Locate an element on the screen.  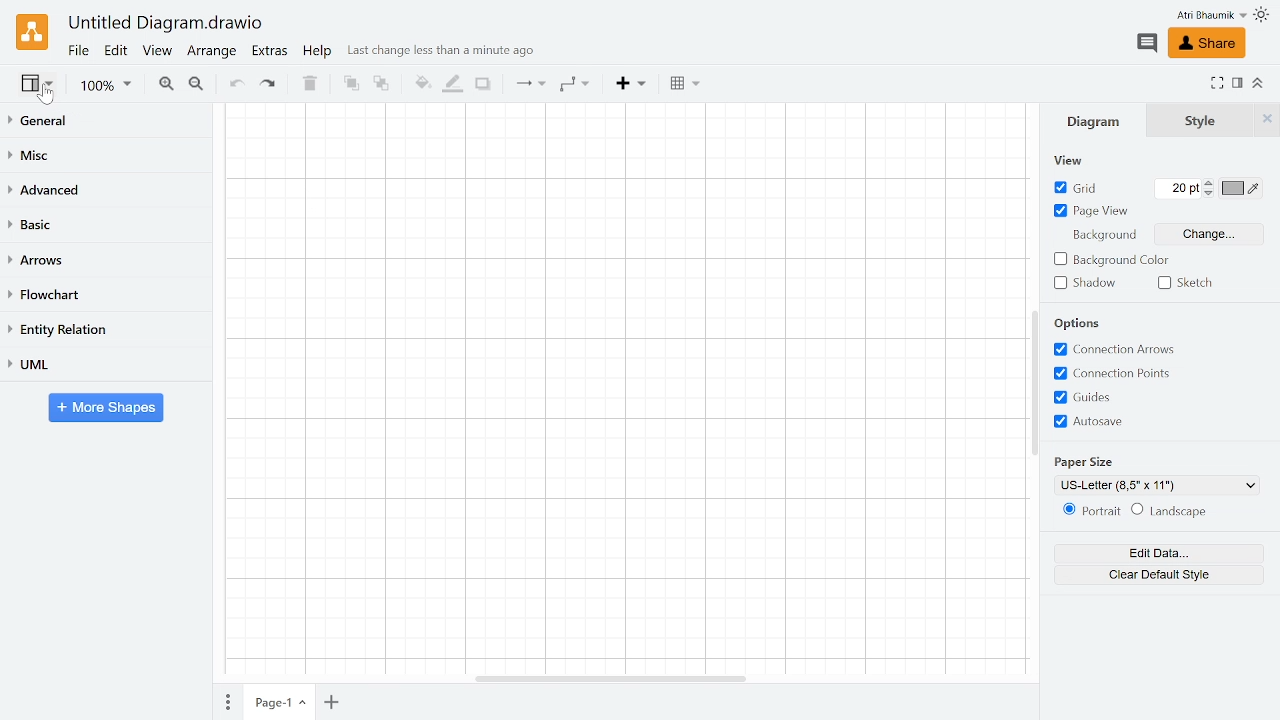
Connection points is located at coordinates (1121, 373).